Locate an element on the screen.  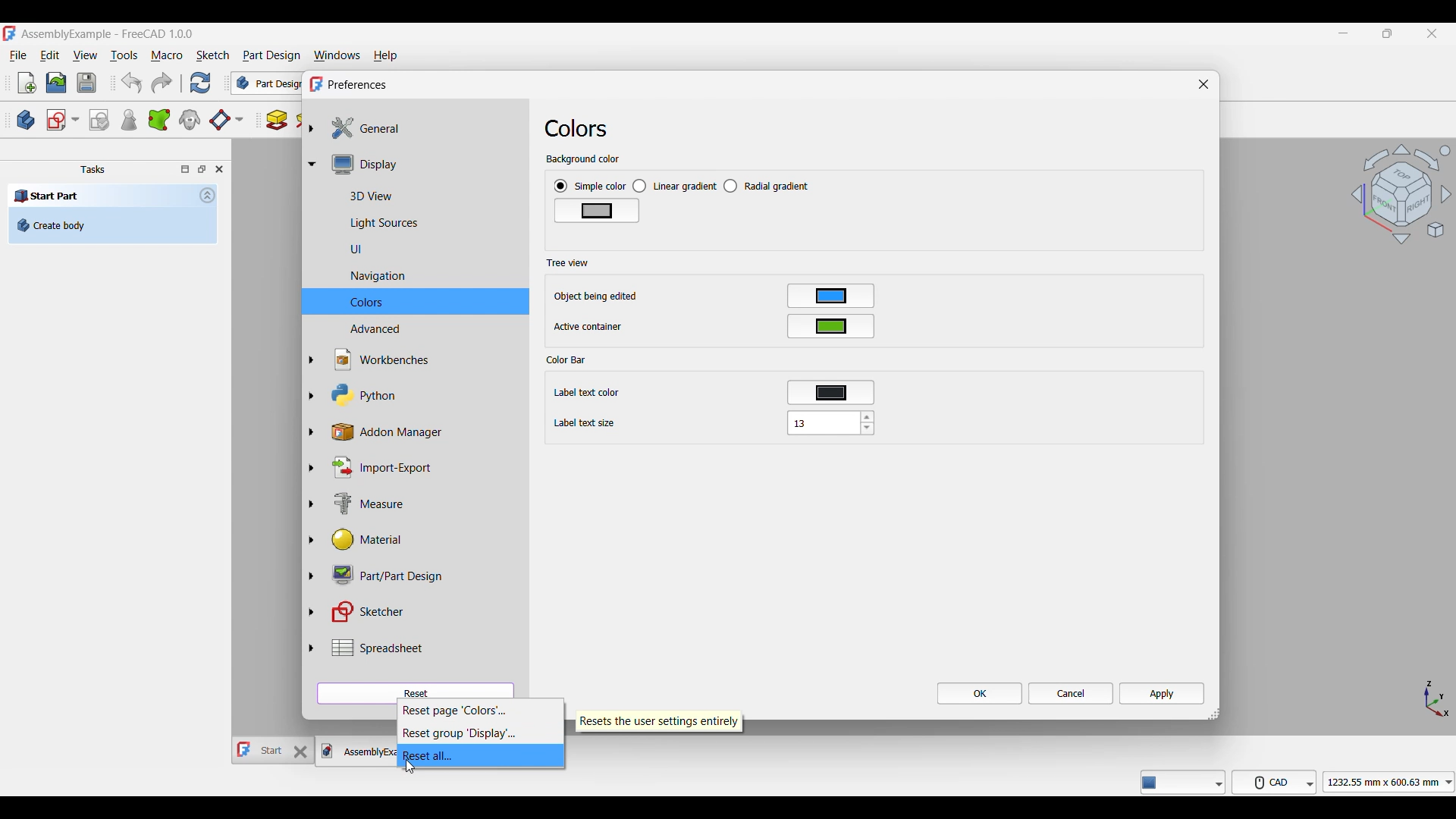
Close Start tab is located at coordinates (301, 752).